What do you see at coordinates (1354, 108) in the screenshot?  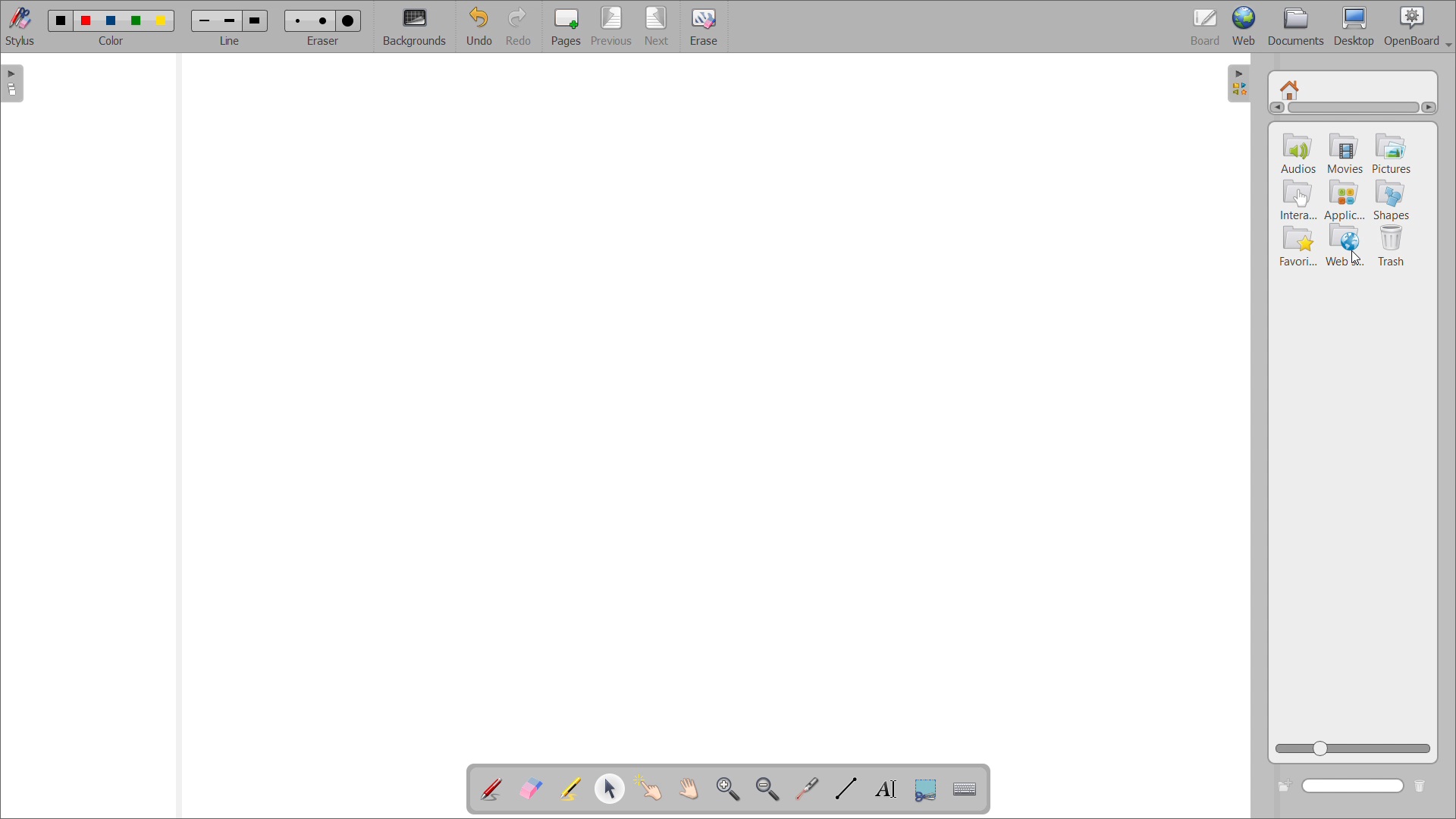 I see `scrollbar` at bounding box center [1354, 108].